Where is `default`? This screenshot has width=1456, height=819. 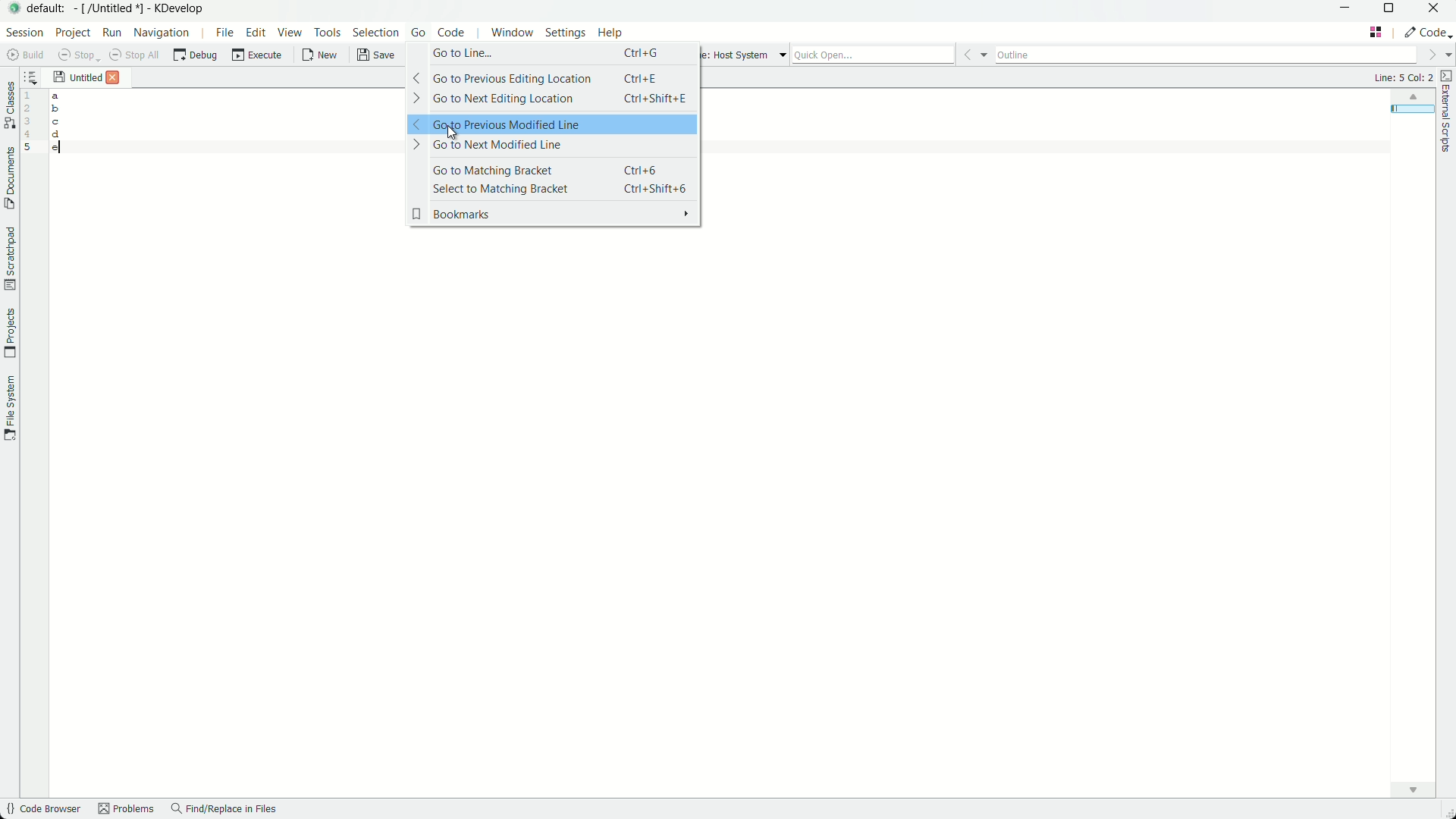
default is located at coordinates (49, 9).